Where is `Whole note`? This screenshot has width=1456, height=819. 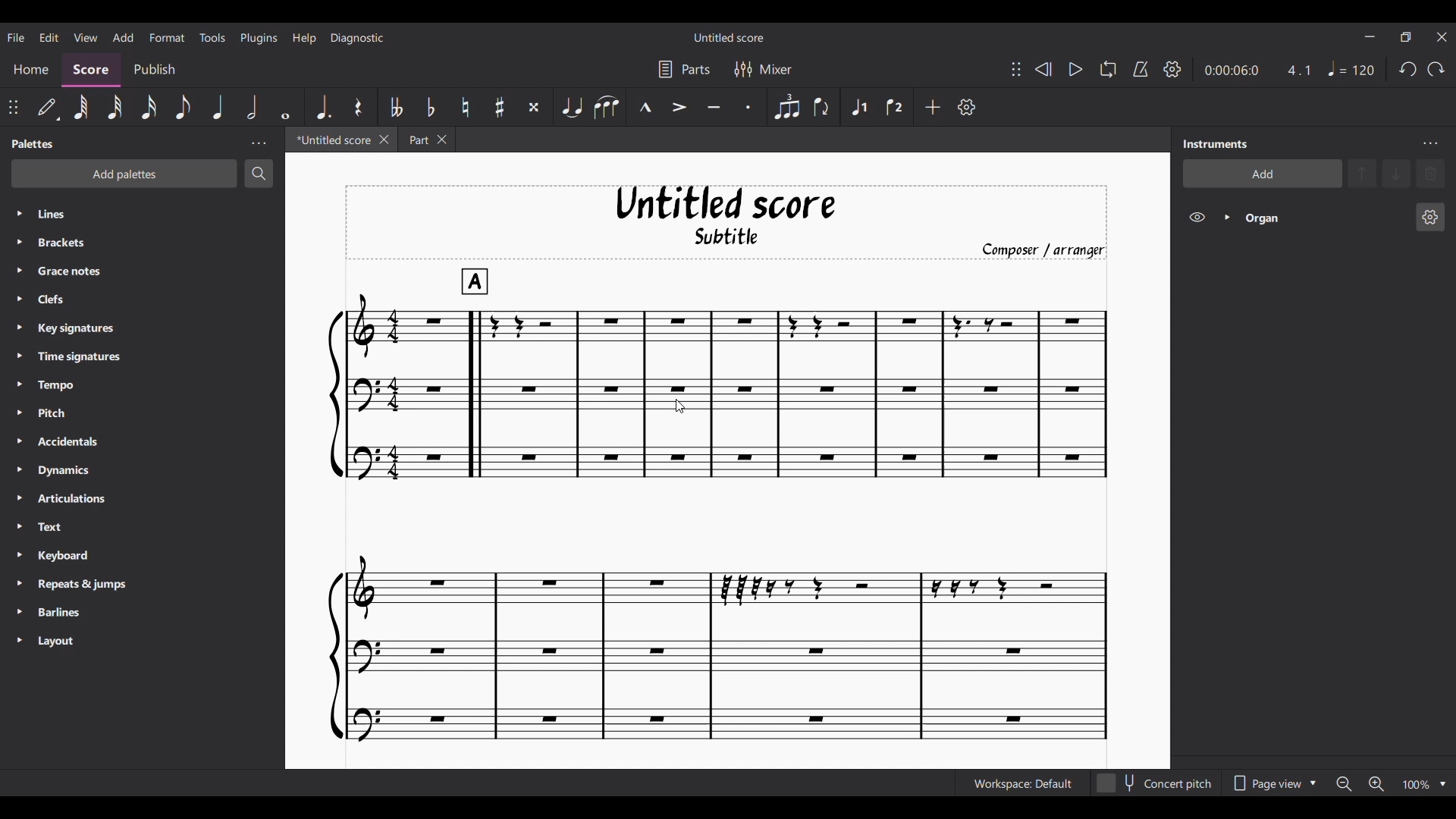 Whole note is located at coordinates (286, 107).